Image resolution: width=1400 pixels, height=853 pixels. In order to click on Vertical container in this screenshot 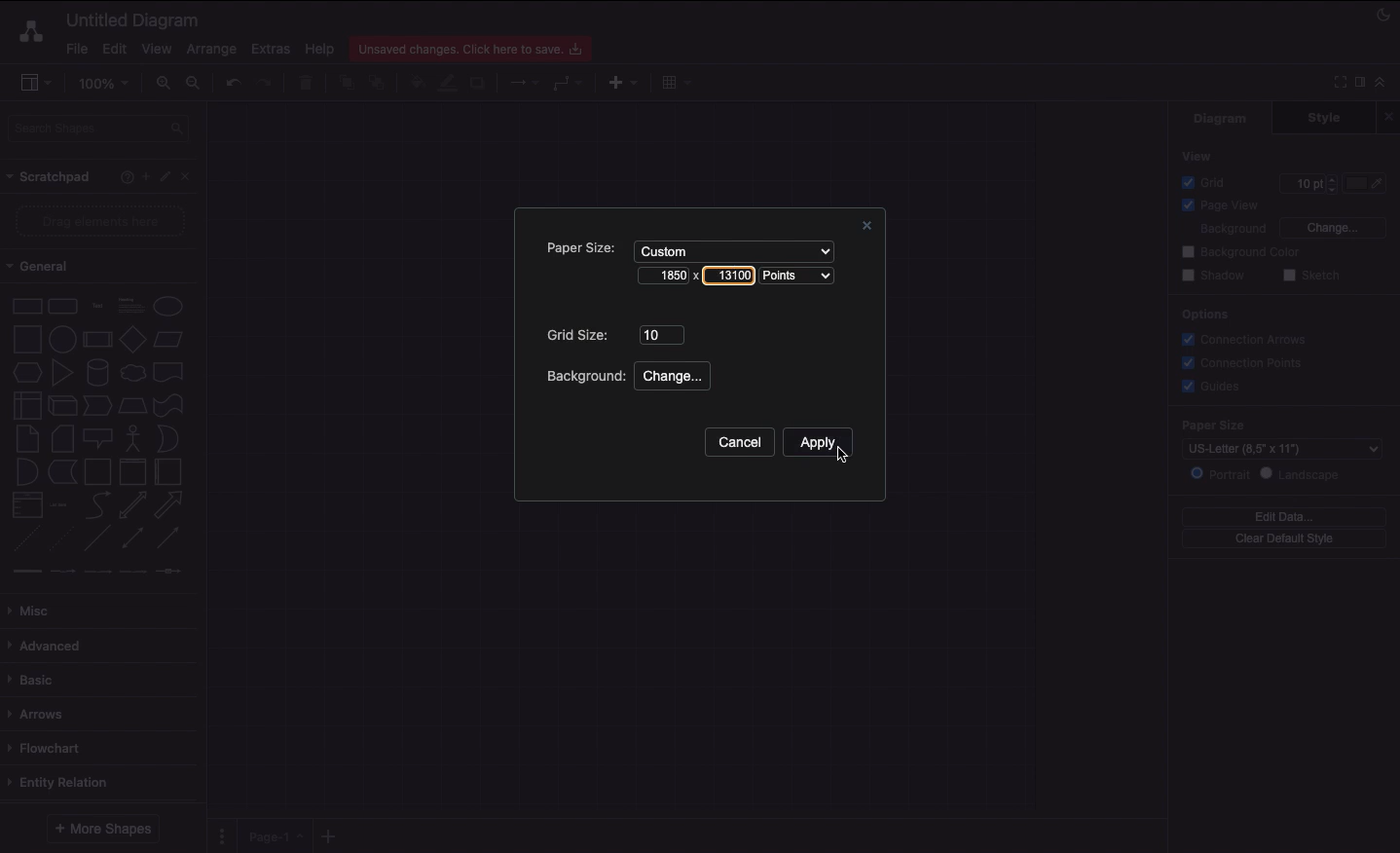, I will do `click(133, 470)`.